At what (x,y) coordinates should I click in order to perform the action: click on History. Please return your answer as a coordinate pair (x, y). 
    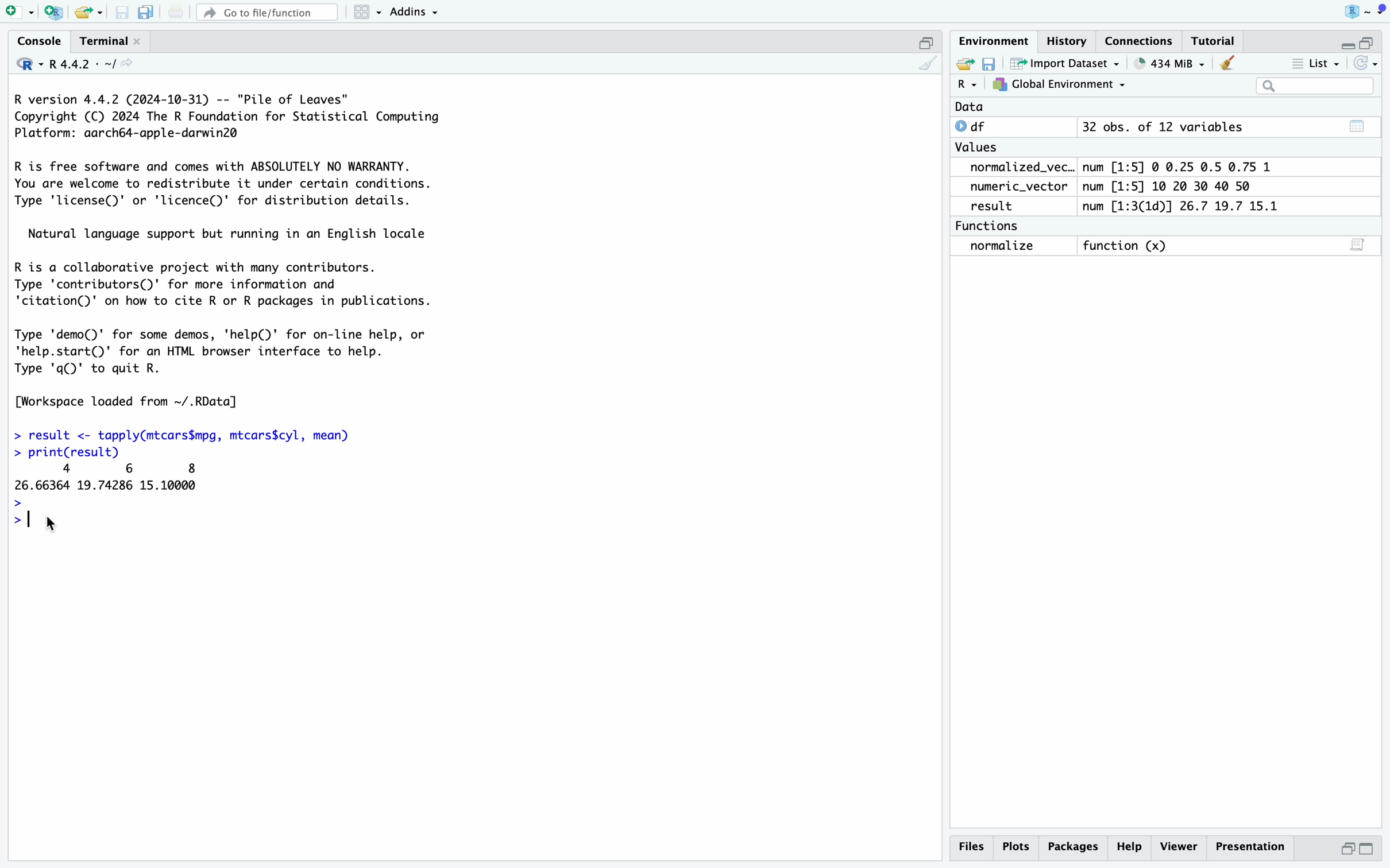
    Looking at the image, I should click on (1068, 40).